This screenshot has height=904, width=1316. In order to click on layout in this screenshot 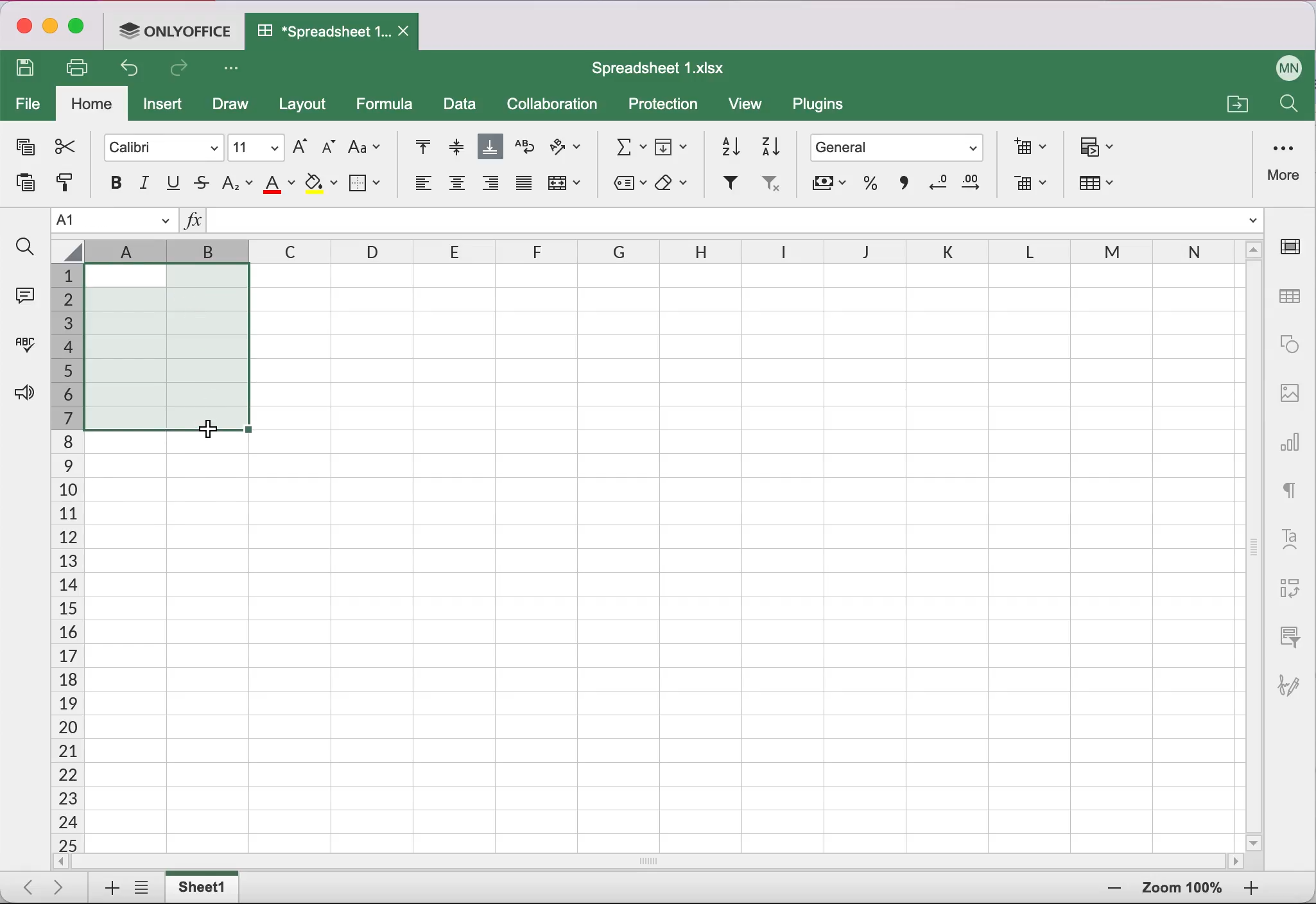, I will do `click(306, 106)`.